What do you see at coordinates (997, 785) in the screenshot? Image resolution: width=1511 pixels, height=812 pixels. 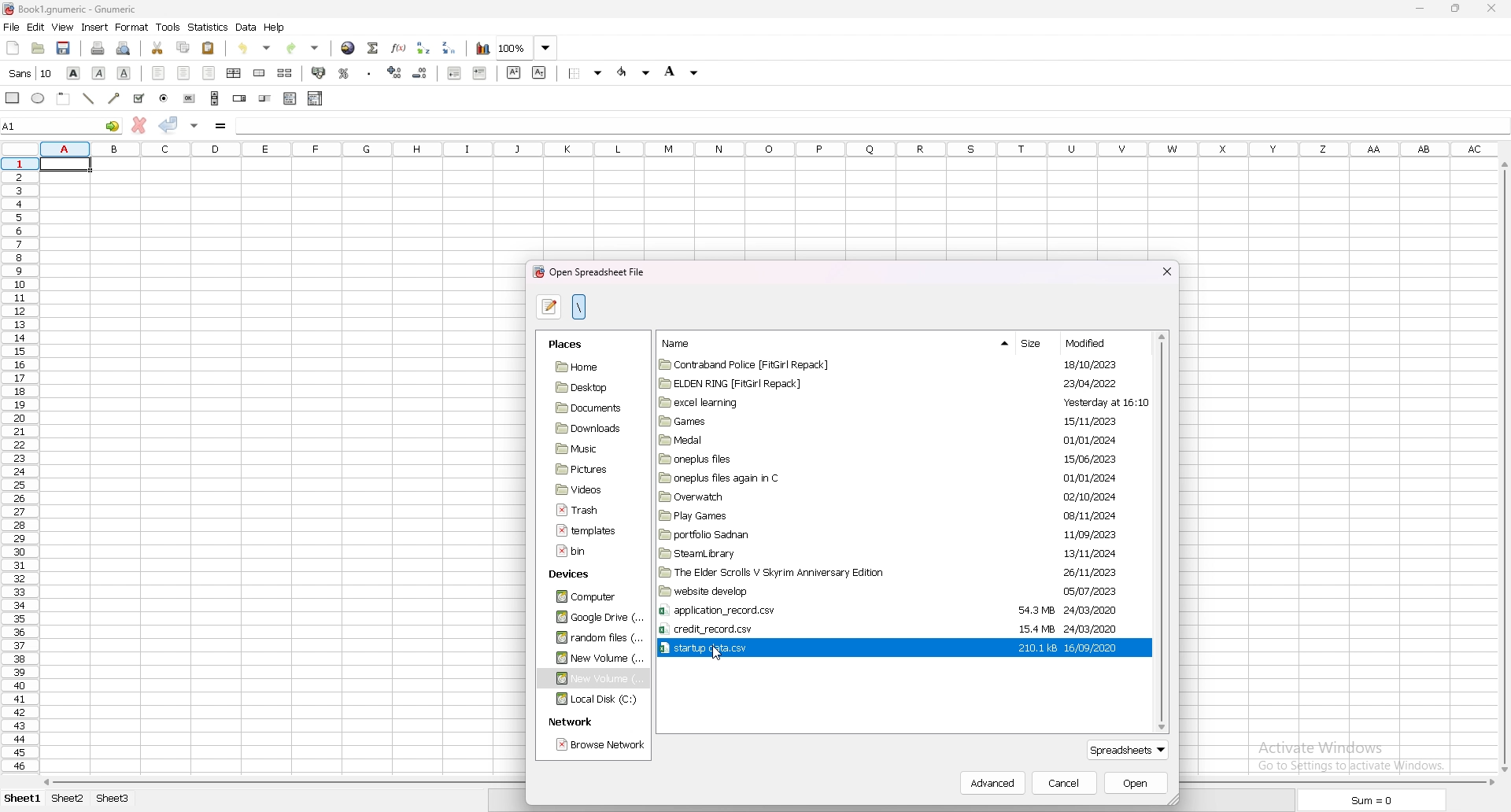 I see `advanced` at bounding box center [997, 785].